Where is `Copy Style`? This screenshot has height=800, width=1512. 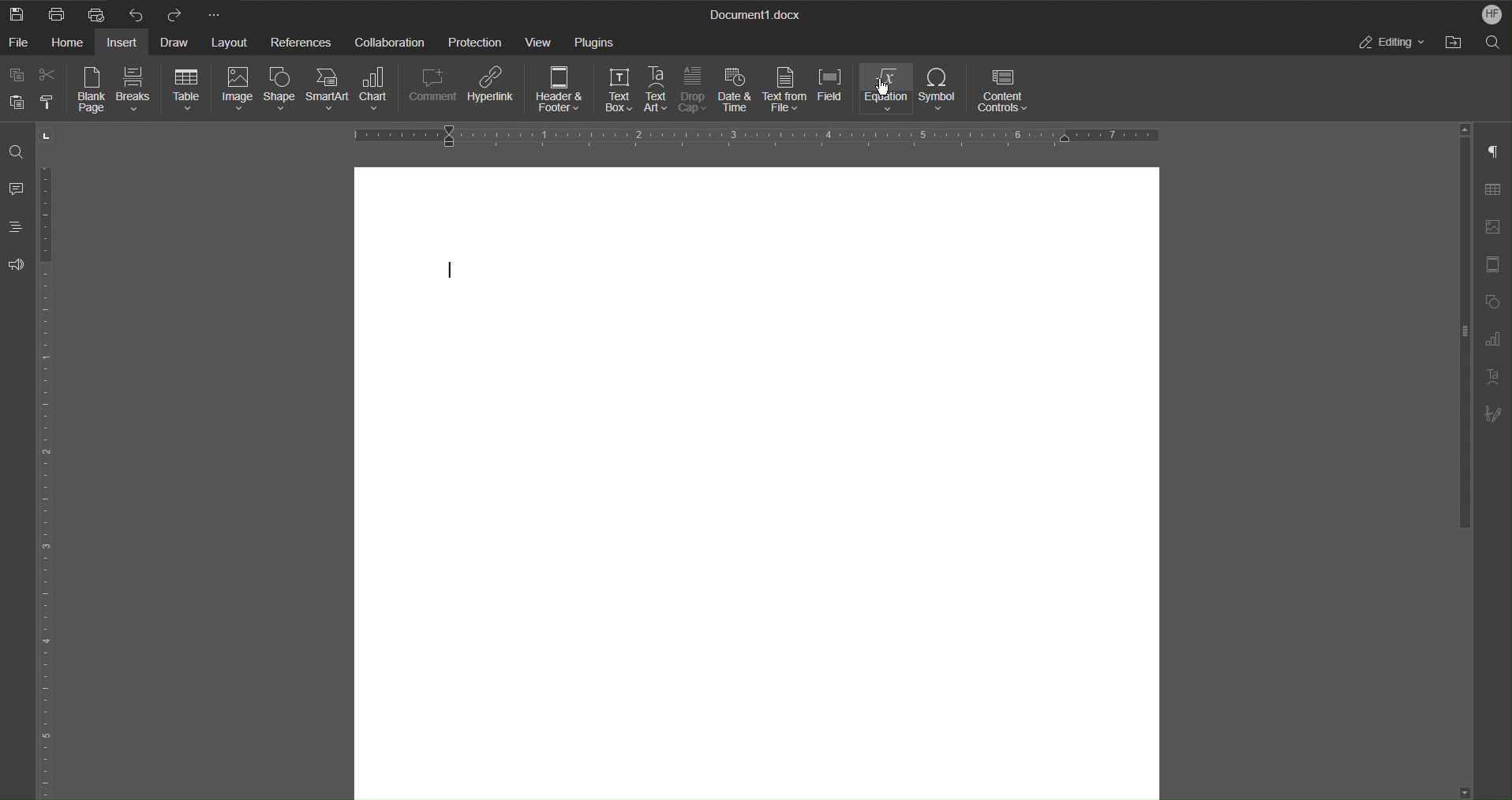
Copy Style is located at coordinates (48, 103).